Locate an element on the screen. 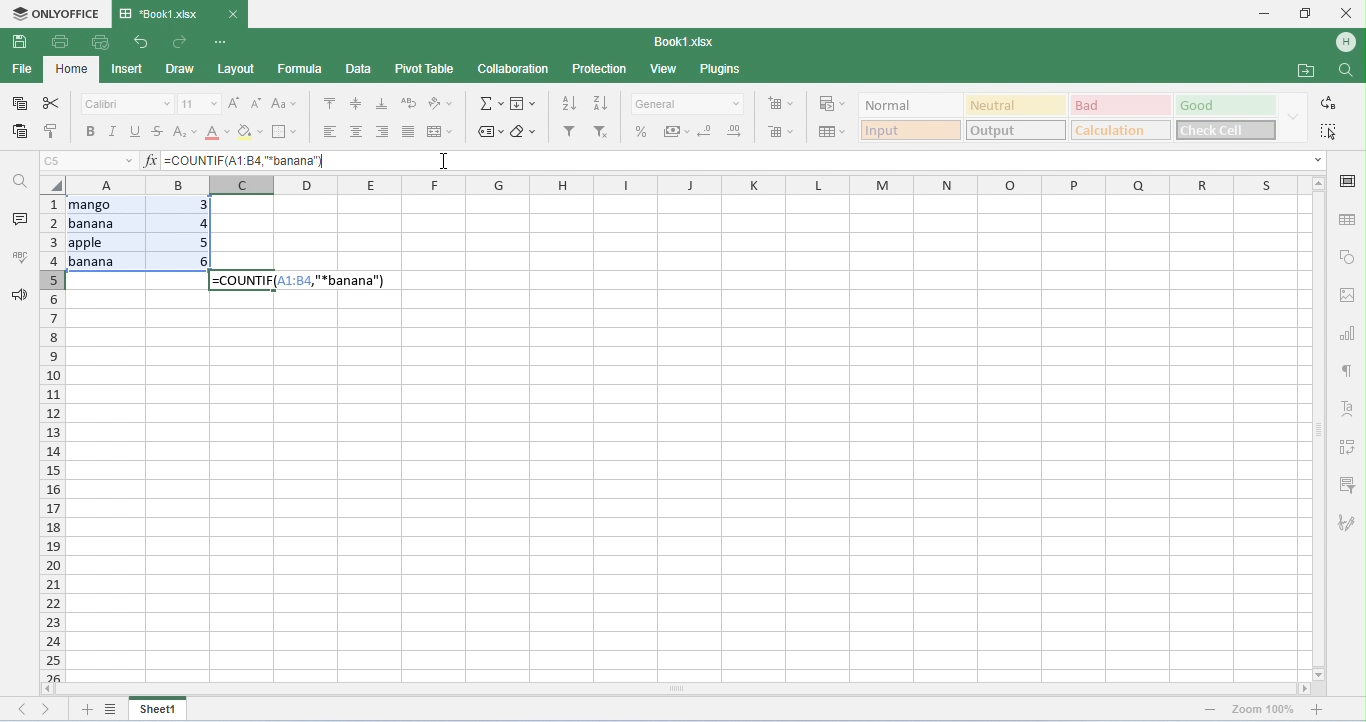  calculation is located at coordinates (1120, 130).